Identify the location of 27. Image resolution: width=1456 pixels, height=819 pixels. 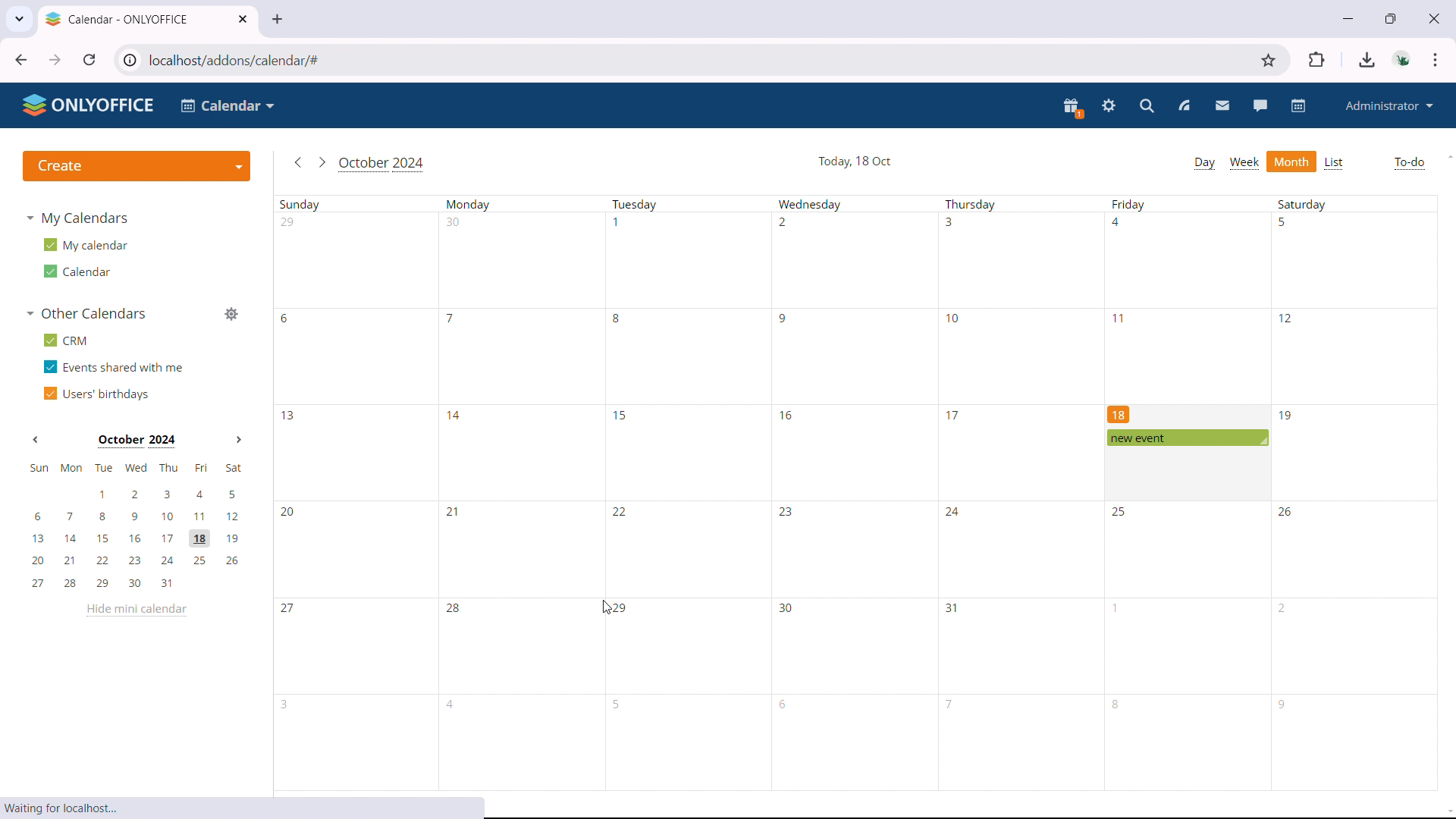
(289, 610).